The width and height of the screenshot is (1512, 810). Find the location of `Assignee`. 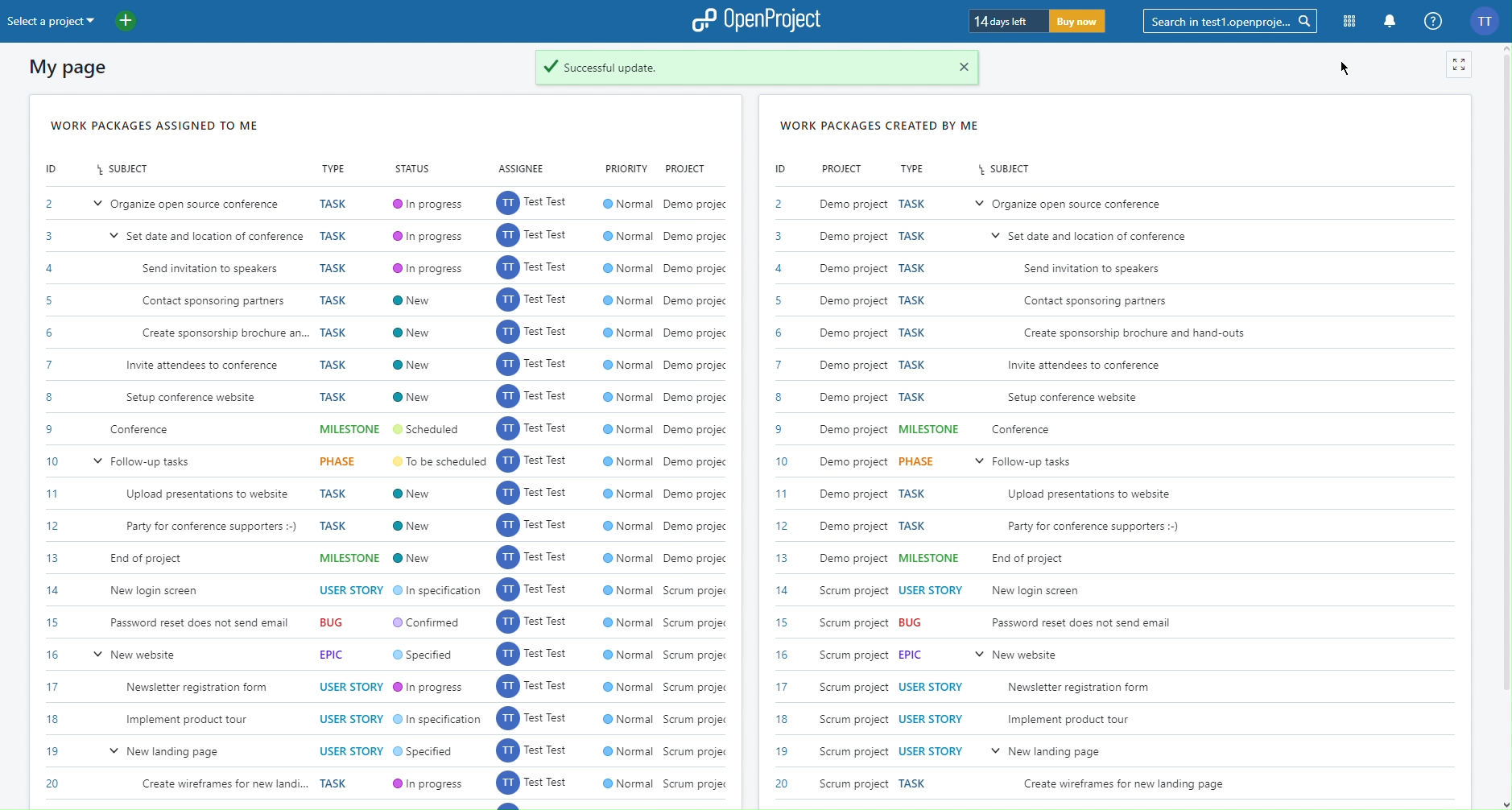

Assignee is located at coordinates (520, 167).